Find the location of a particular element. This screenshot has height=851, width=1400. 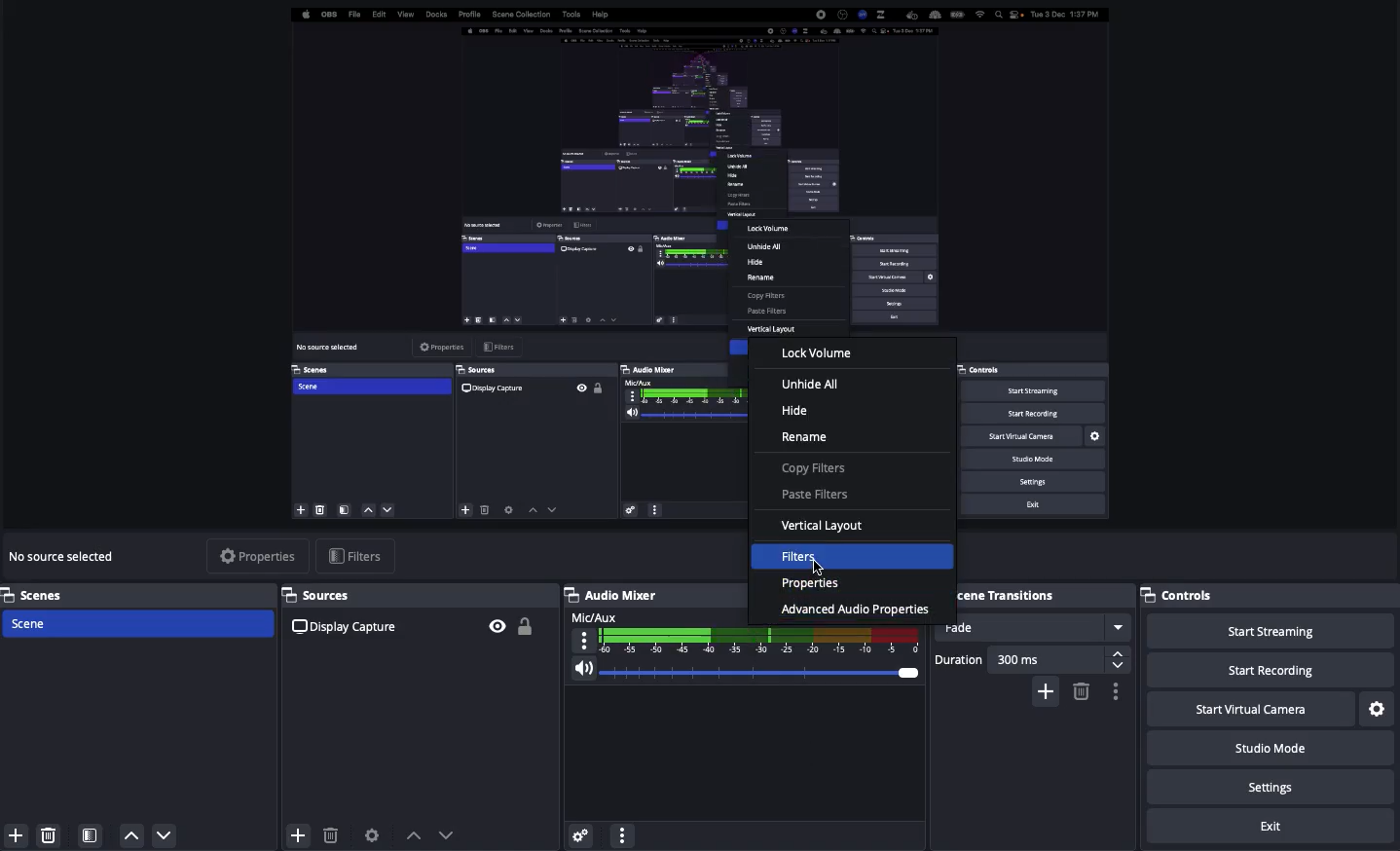

Add is located at coordinates (1045, 692).